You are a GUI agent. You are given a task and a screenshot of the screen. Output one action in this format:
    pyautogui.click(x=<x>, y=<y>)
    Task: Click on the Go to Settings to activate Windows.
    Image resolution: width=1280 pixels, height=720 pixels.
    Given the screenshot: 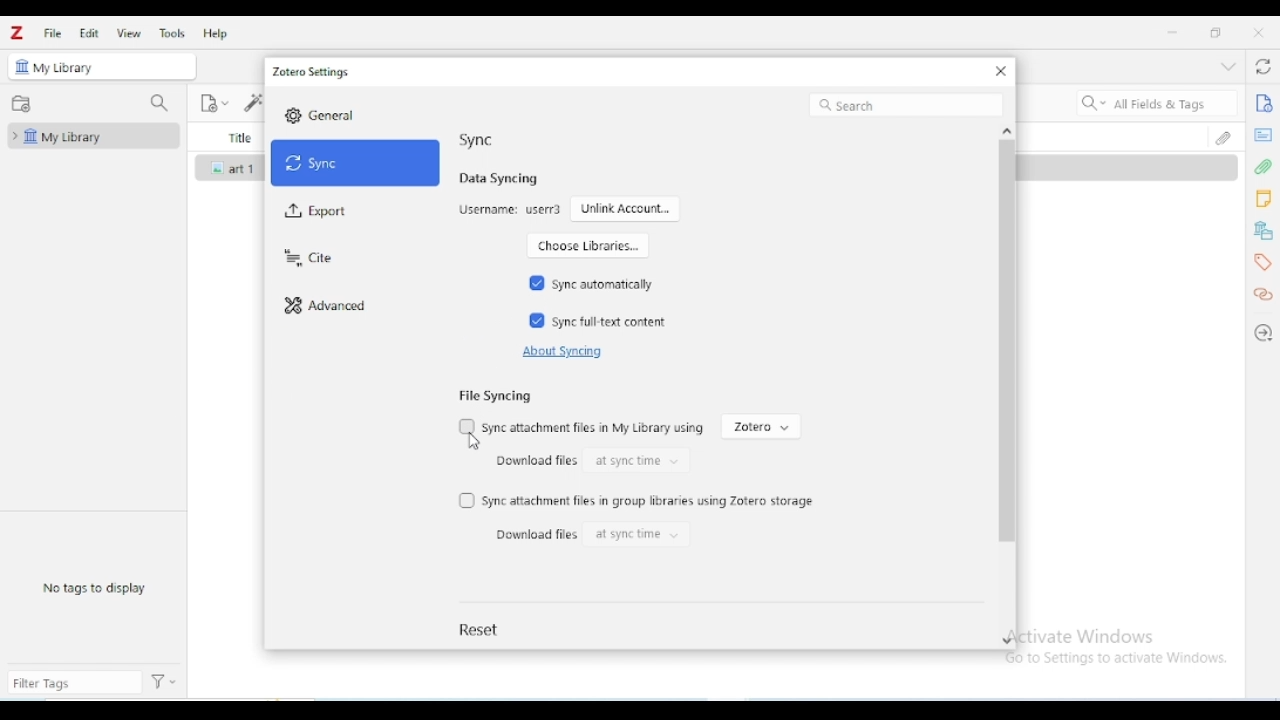 What is the action you would take?
    pyautogui.click(x=1120, y=658)
    